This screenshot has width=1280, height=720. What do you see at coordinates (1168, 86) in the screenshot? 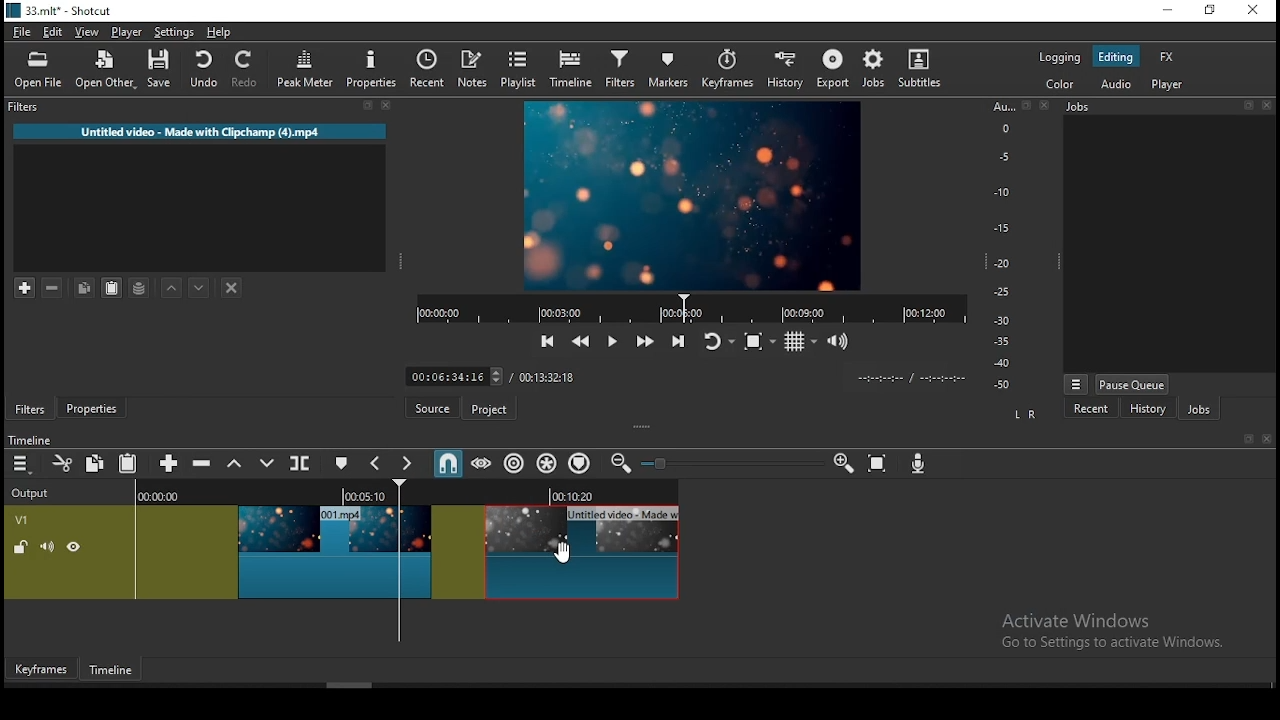
I see `player` at bounding box center [1168, 86].